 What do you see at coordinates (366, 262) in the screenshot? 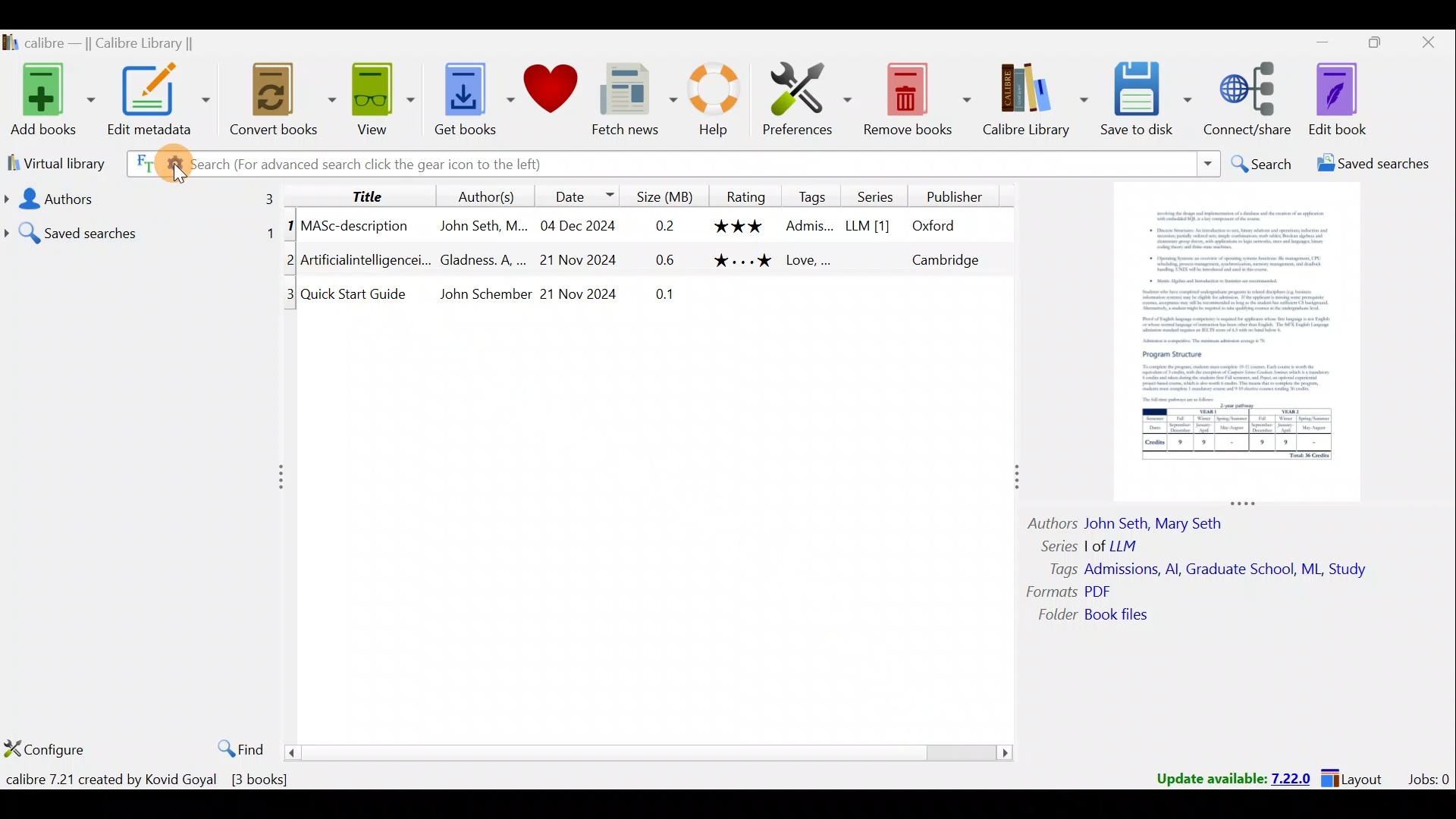
I see `Artficialintelligencei...` at bounding box center [366, 262].